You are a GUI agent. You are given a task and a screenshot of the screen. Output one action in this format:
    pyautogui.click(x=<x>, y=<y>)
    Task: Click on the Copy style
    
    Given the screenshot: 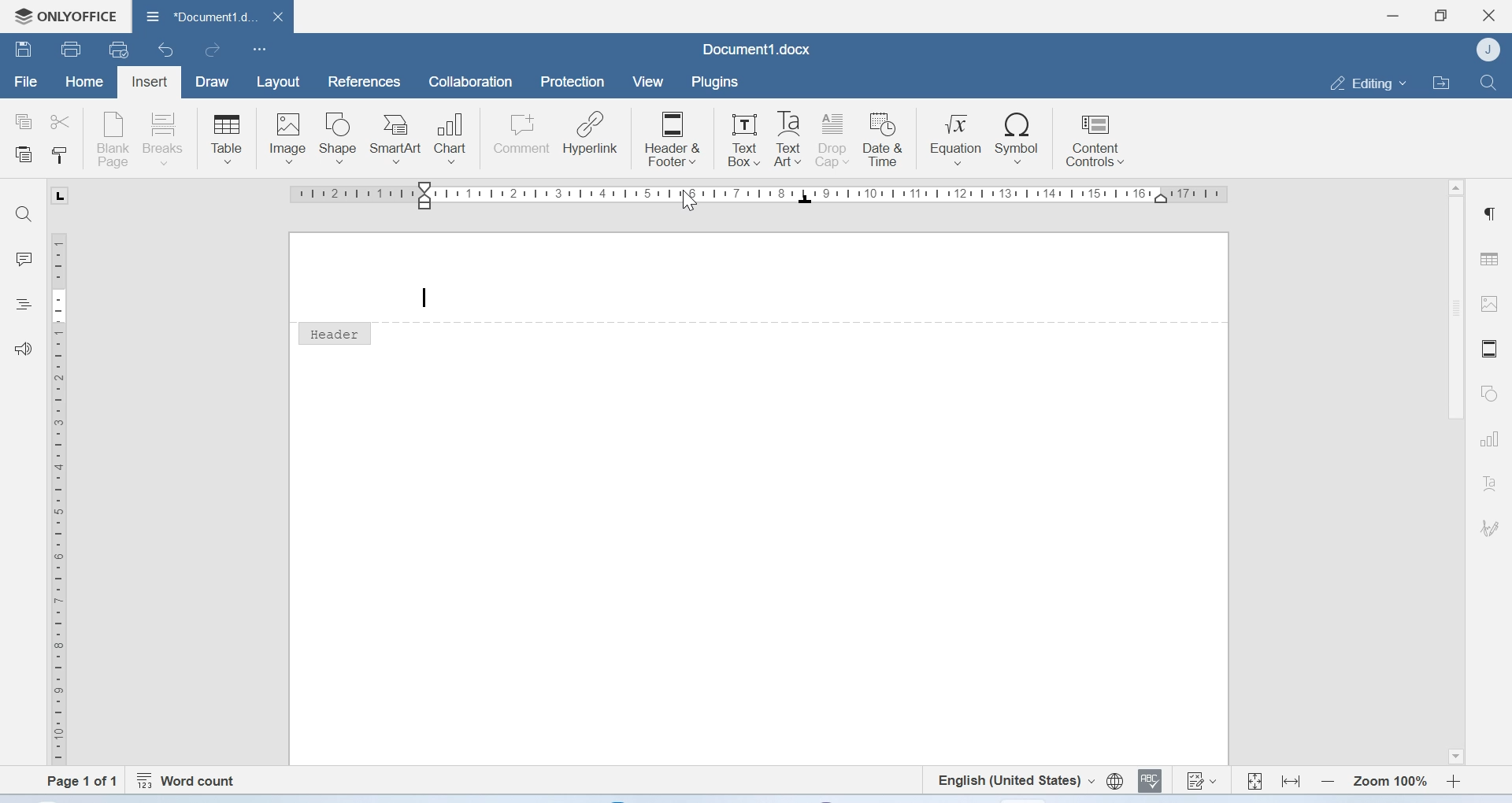 What is the action you would take?
    pyautogui.click(x=58, y=157)
    